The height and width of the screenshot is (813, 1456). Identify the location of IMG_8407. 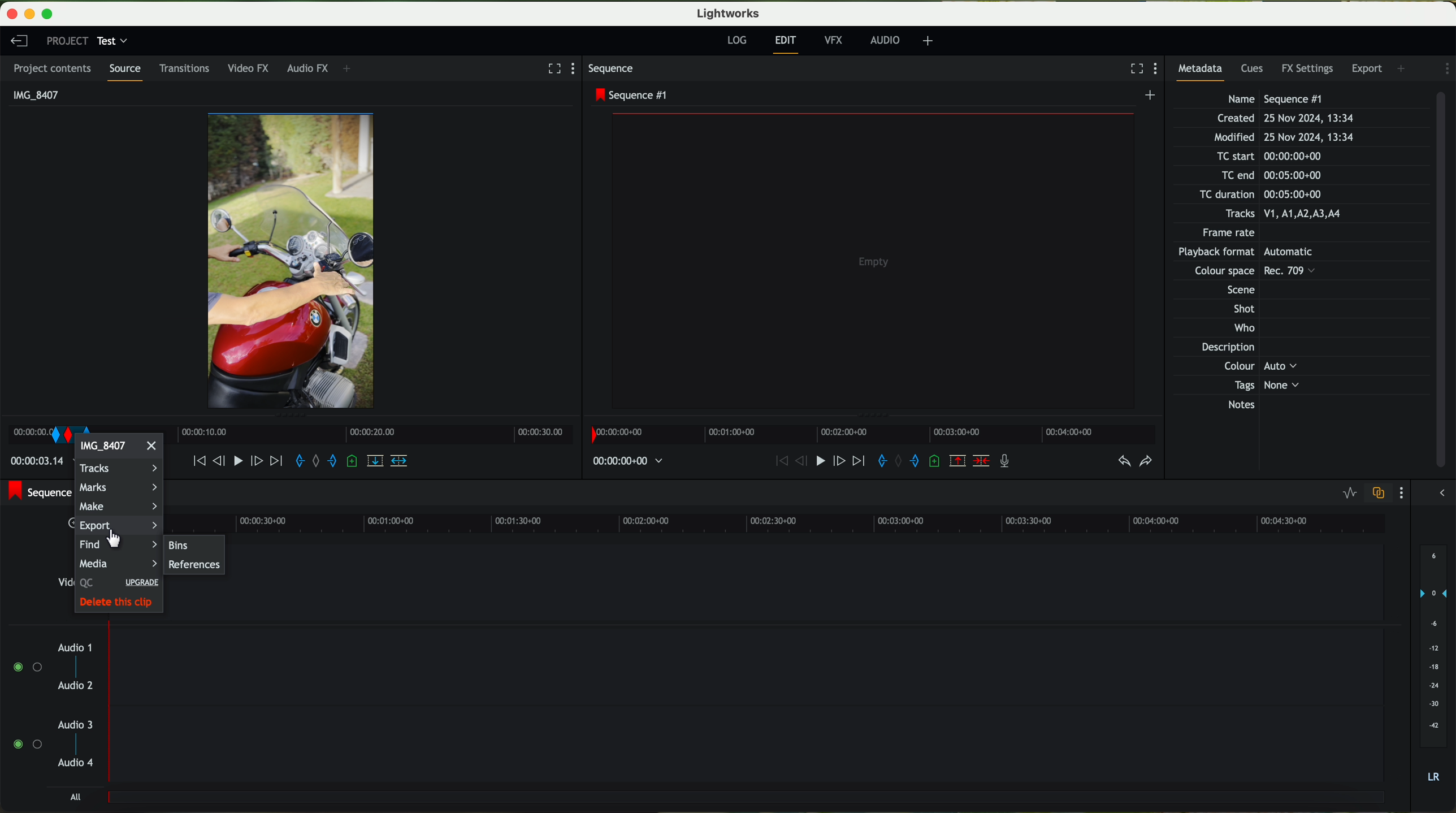
(33, 94).